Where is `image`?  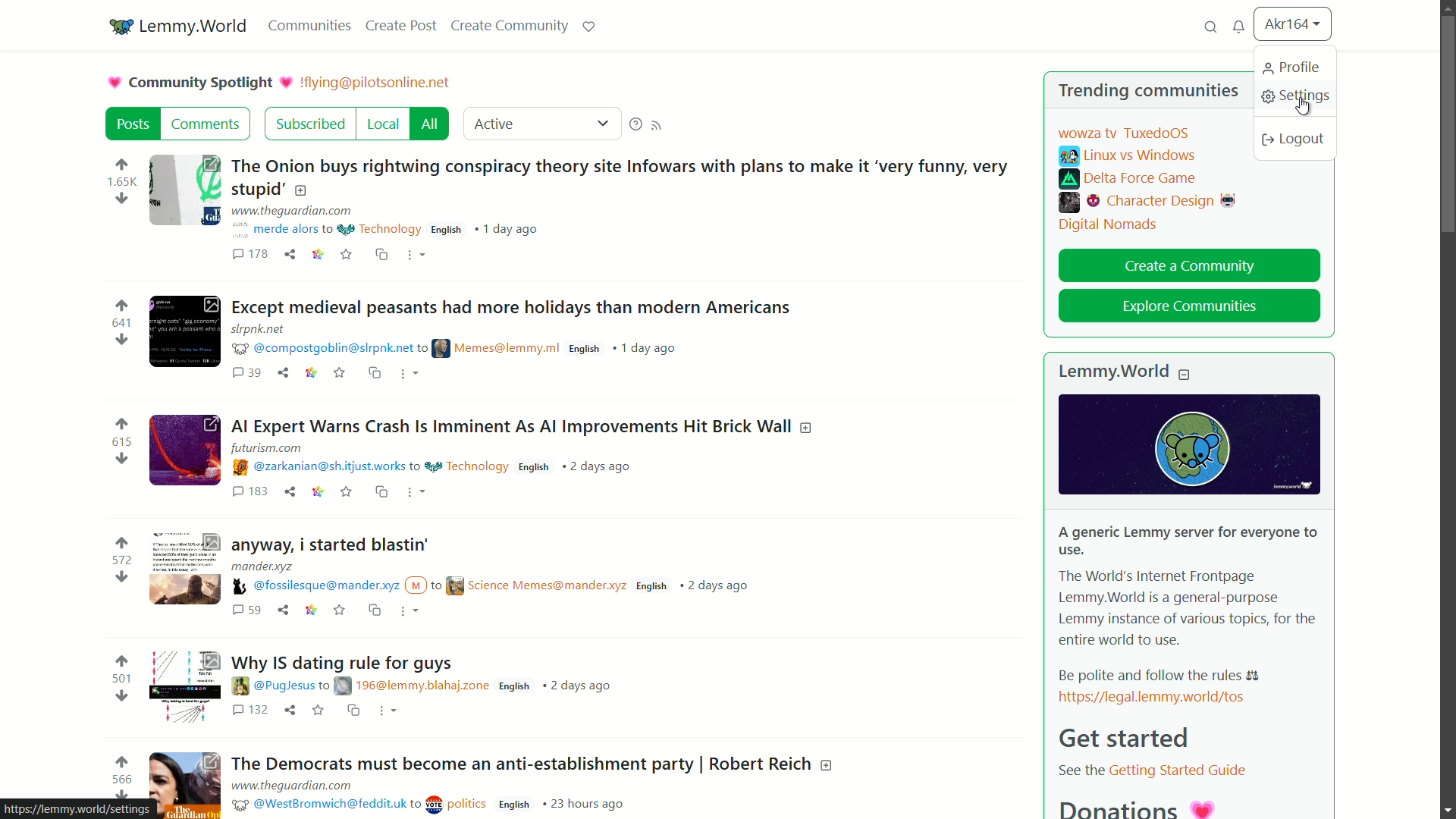
image is located at coordinates (186, 783).